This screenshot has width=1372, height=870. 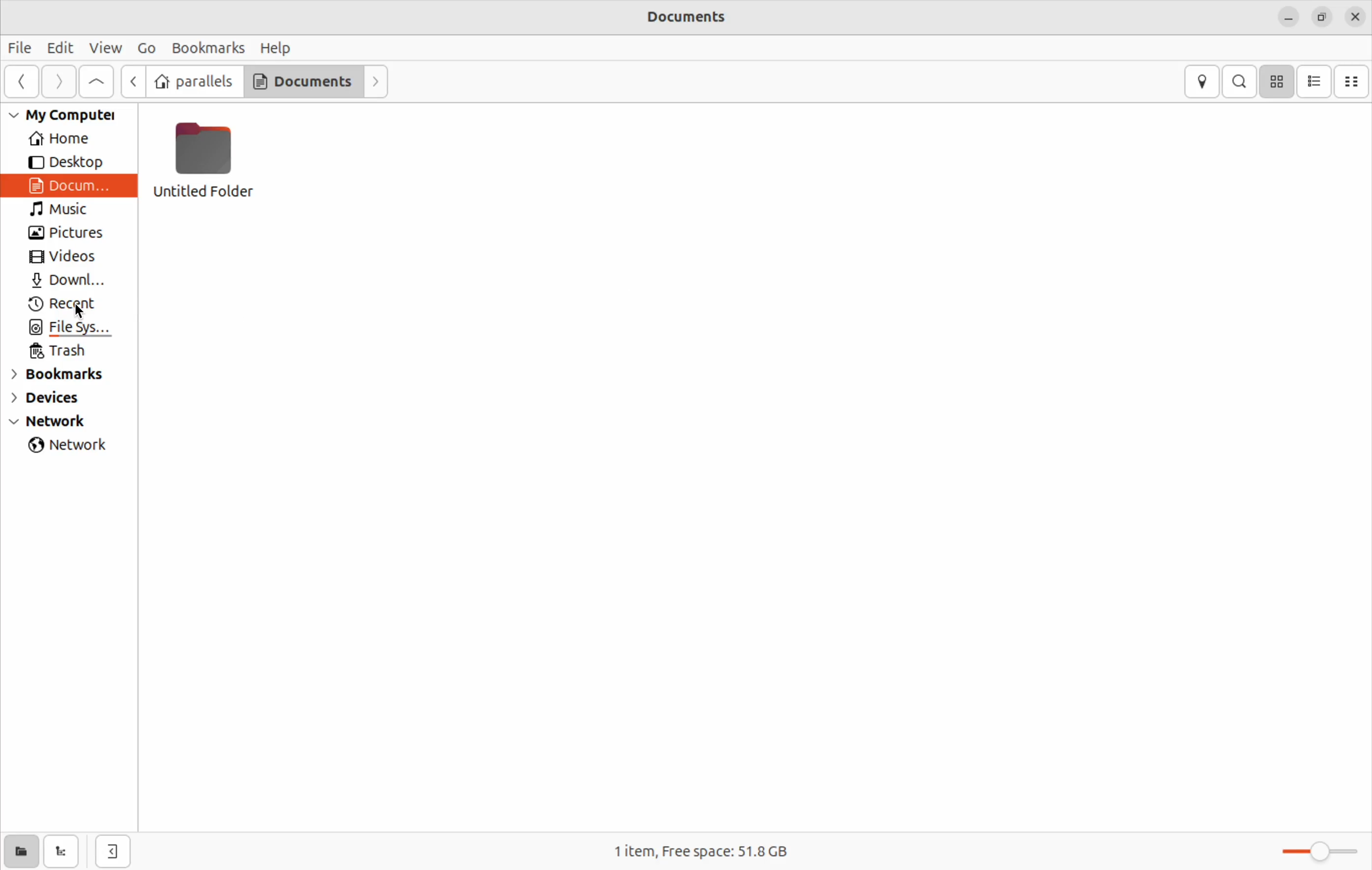 I want to click on search, so click(x=1239, y=81).